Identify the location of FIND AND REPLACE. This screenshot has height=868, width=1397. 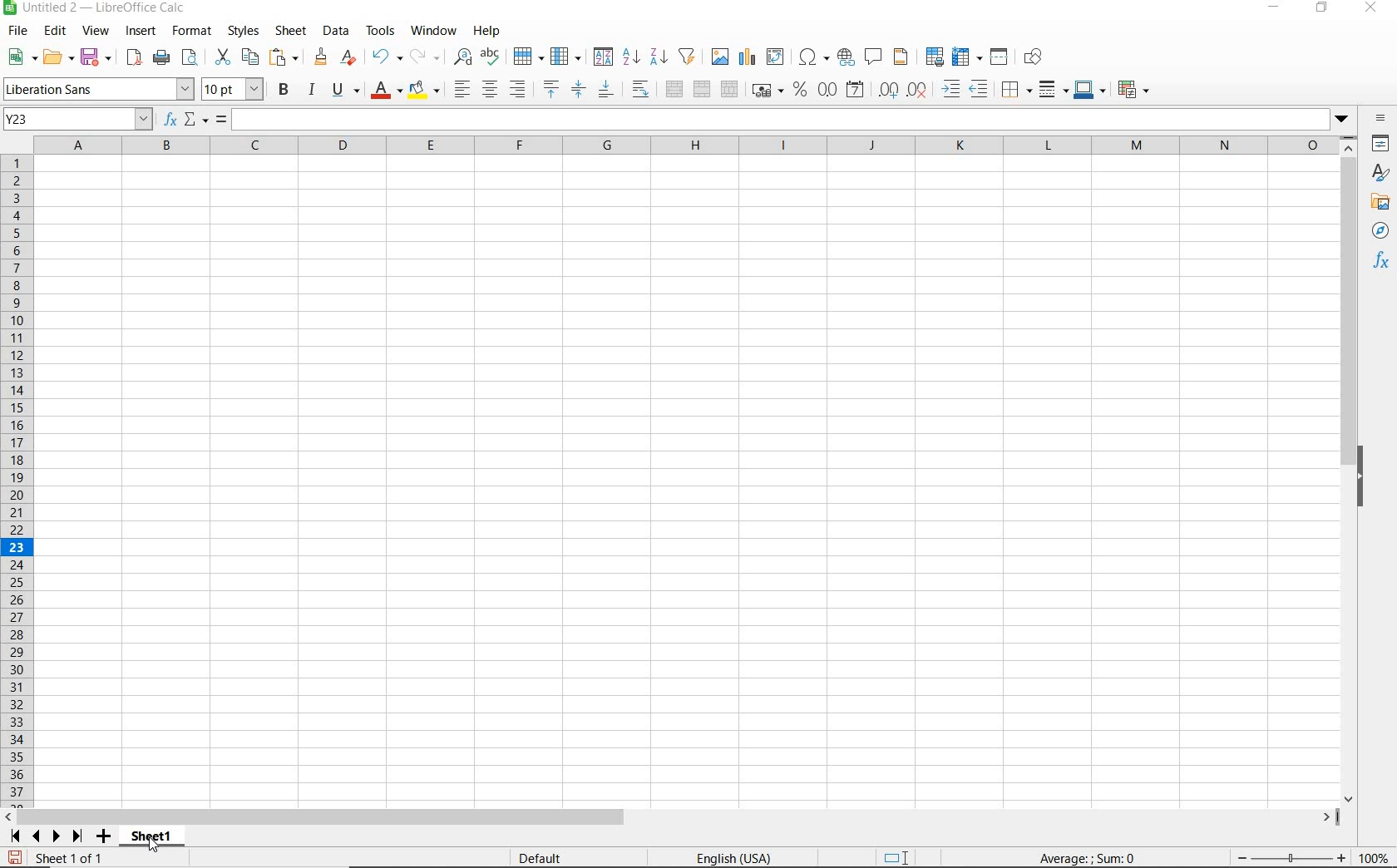
(459, 57).